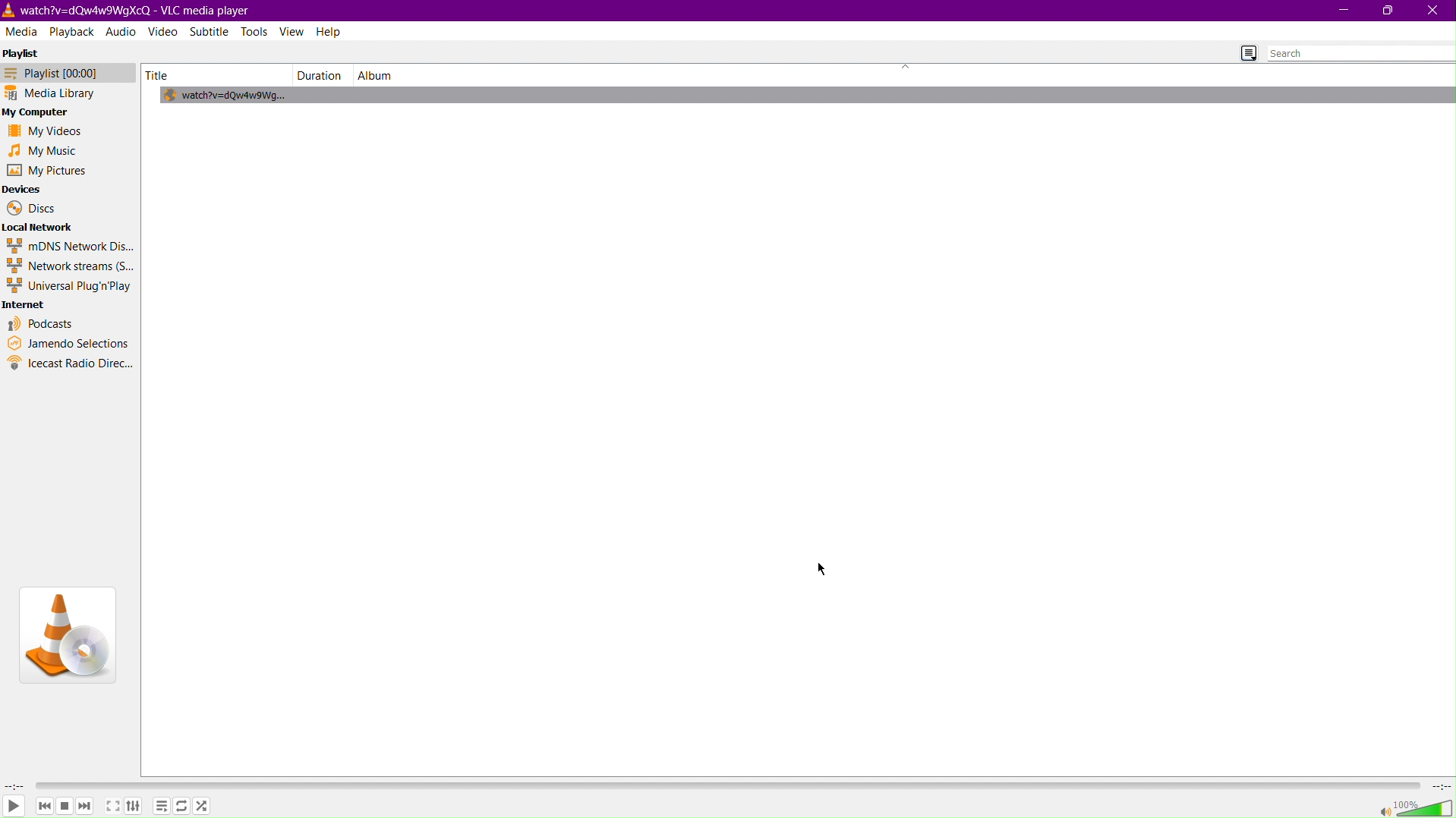  What do you see at coordinates (121, 30) in the screenshot?
I see `Audio` at bounding box center [121, 30].